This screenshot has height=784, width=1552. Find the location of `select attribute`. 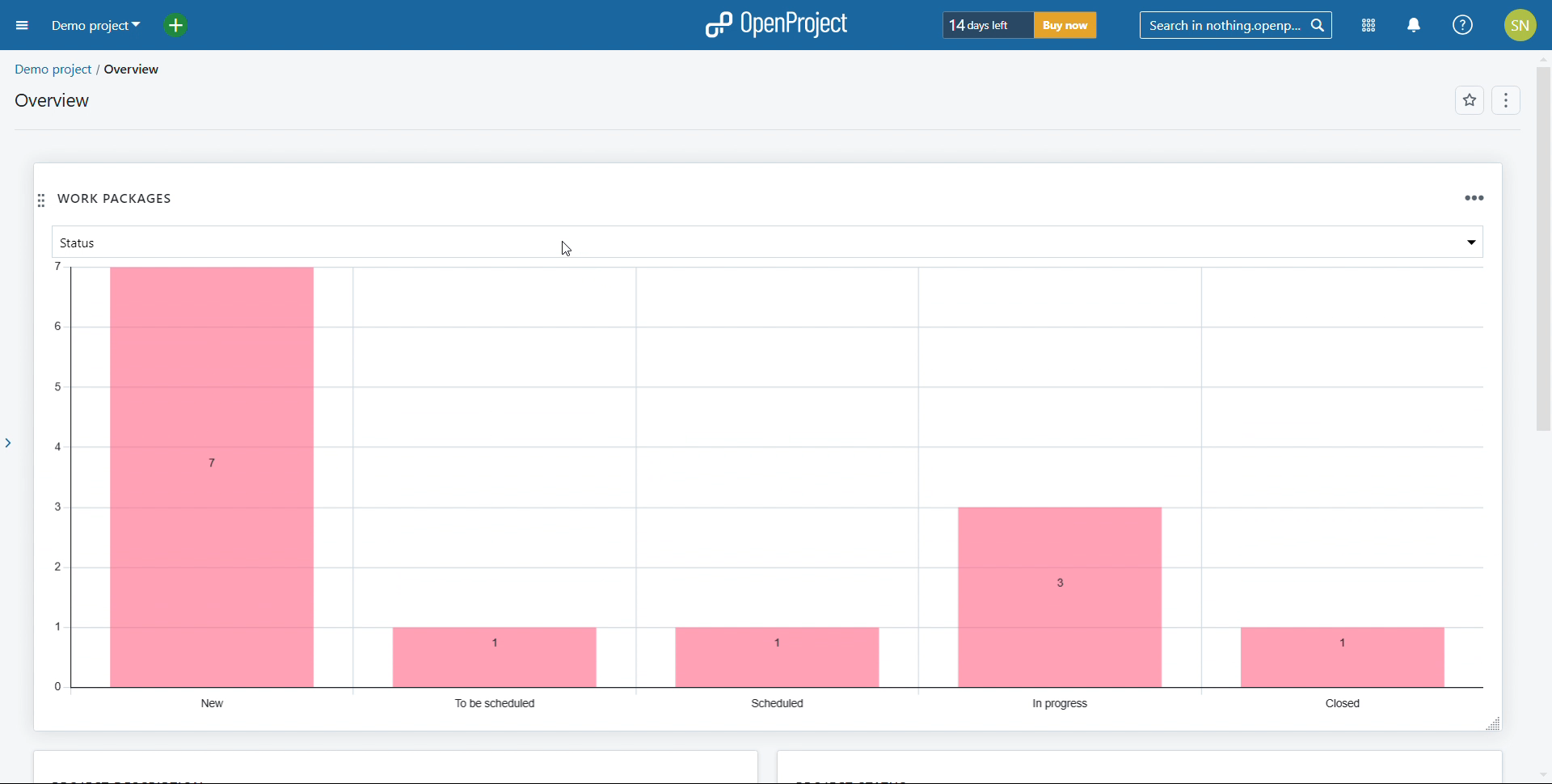

select attribute is located at coordinates (768, 242).